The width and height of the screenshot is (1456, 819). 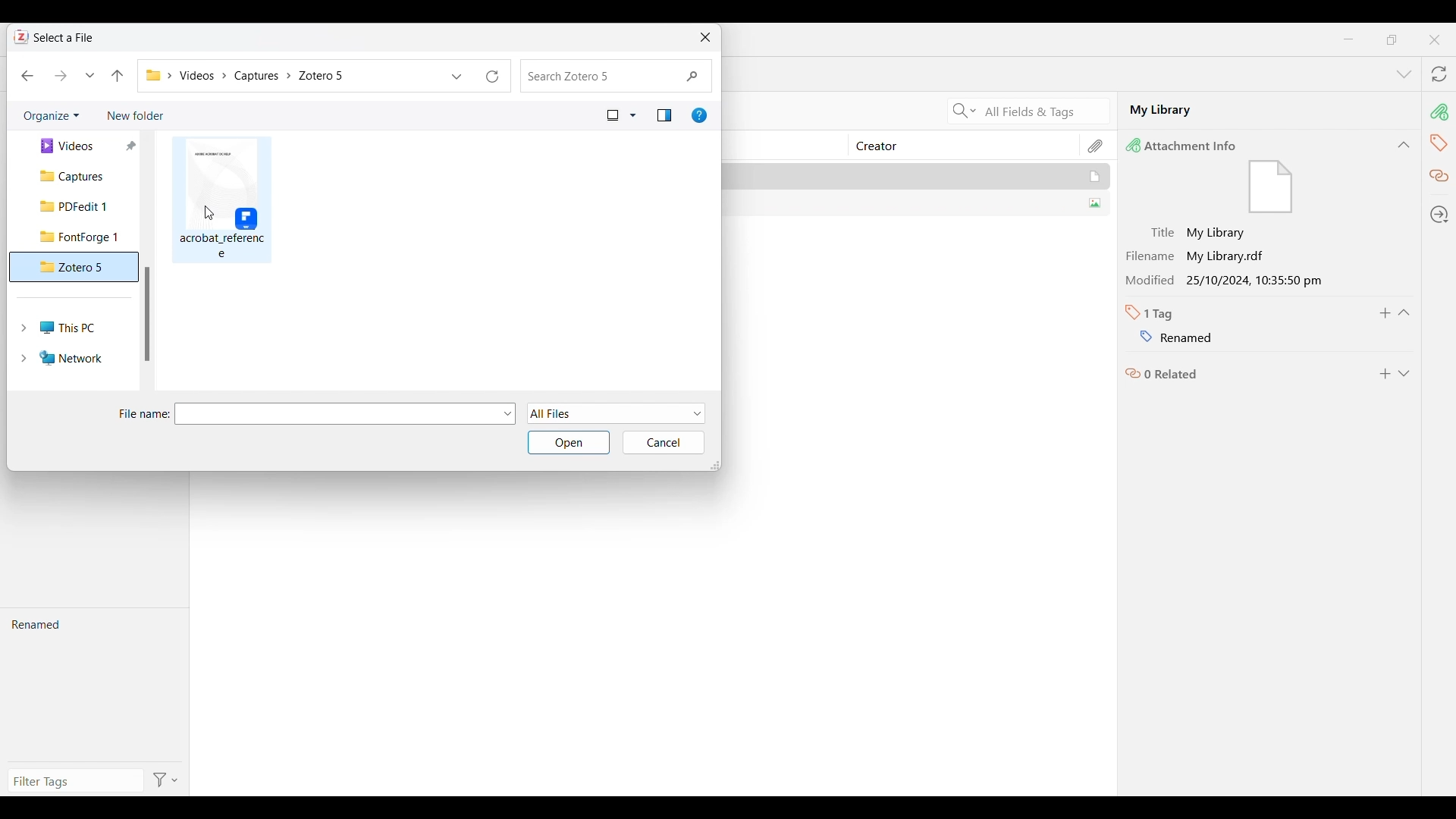 I want to click on Search folder changed to Zotero 5, so click(x=594, y=75).